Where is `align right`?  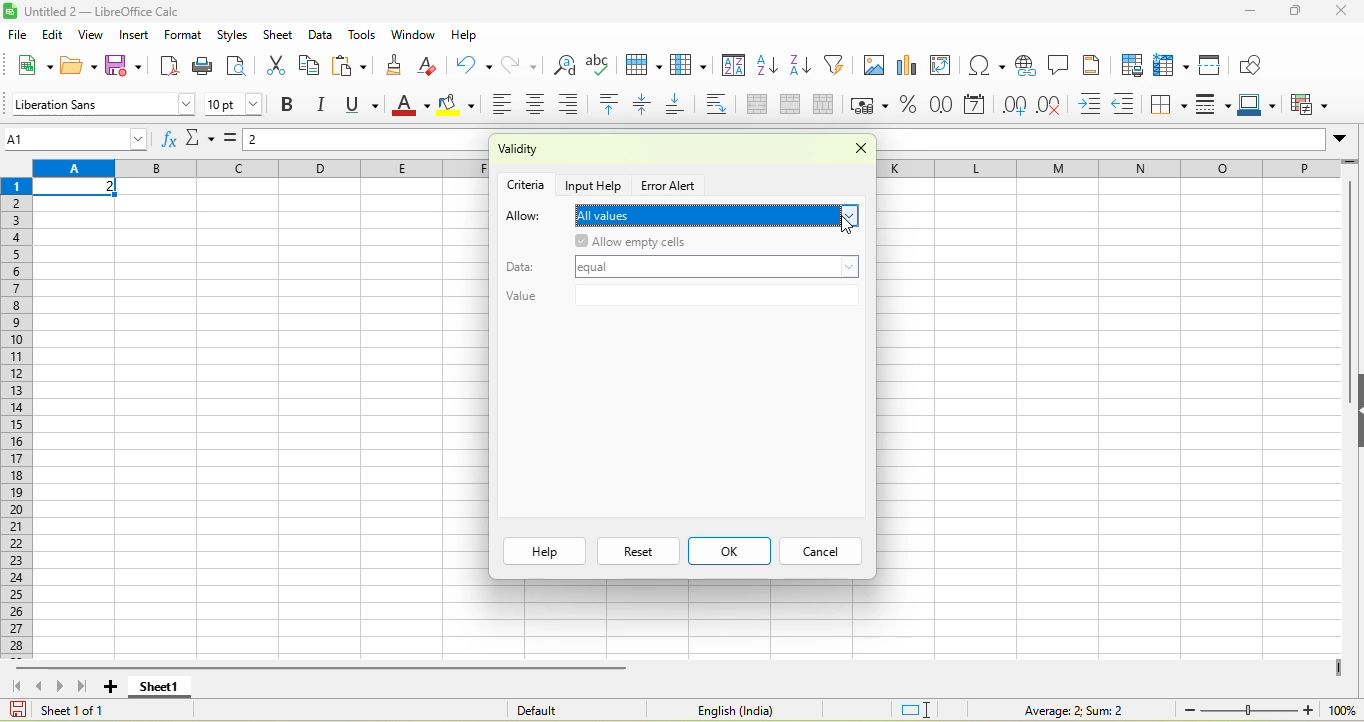 align right is located at coordinates (575, 104).